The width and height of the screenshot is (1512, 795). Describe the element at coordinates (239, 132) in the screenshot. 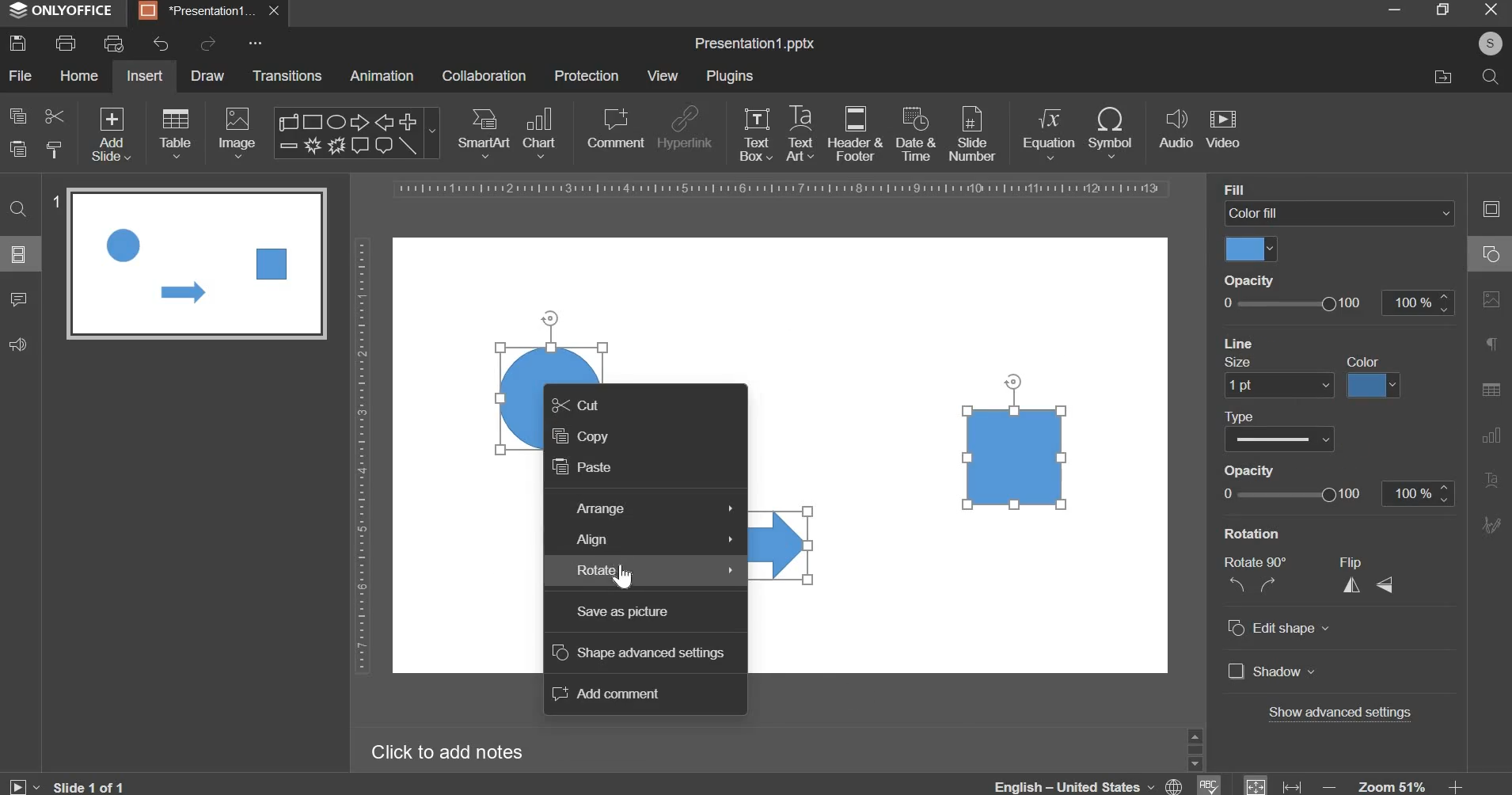

I see `image` at that location.